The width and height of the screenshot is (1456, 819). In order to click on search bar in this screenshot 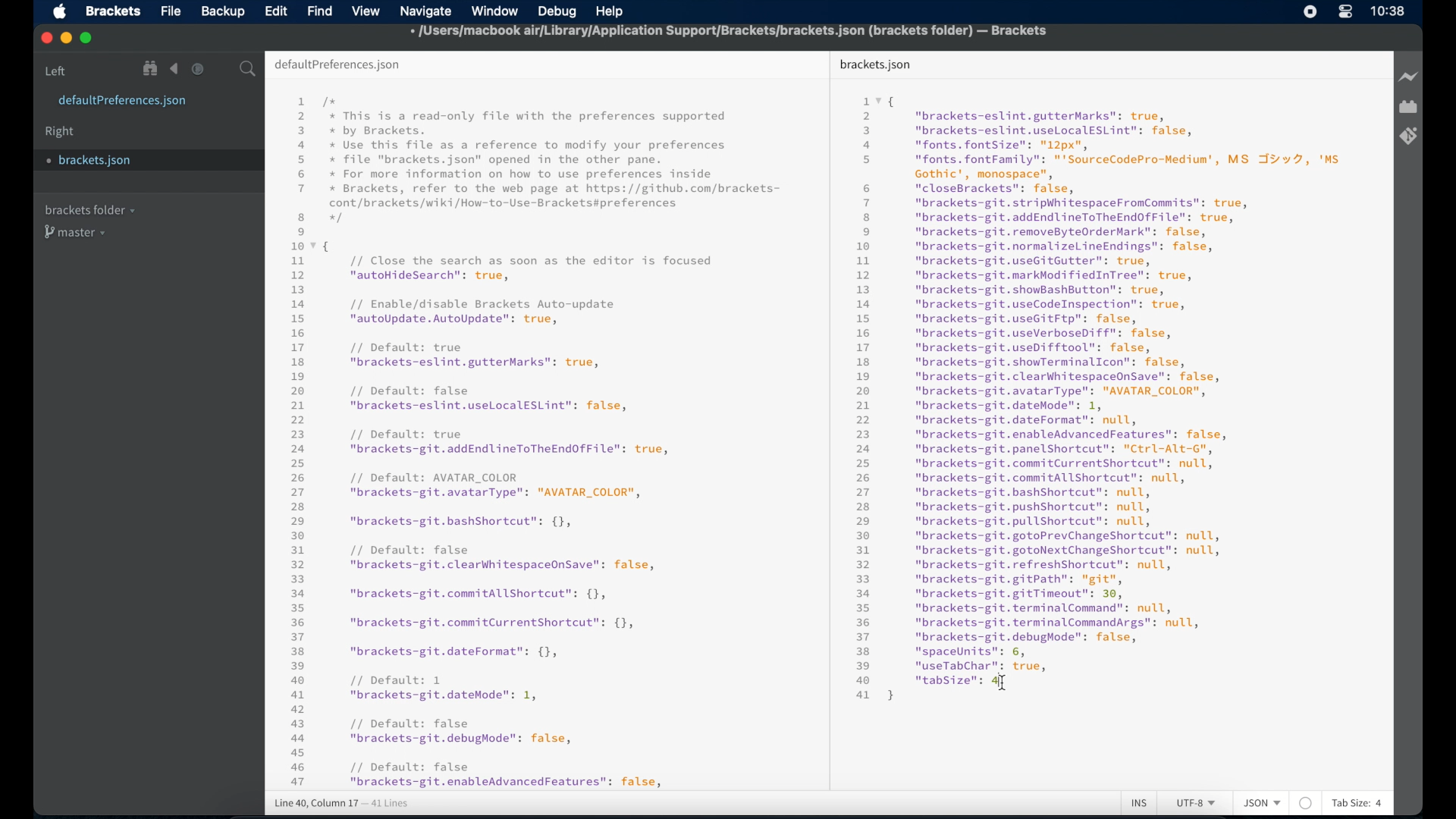, I will do `click(248, 70)`.